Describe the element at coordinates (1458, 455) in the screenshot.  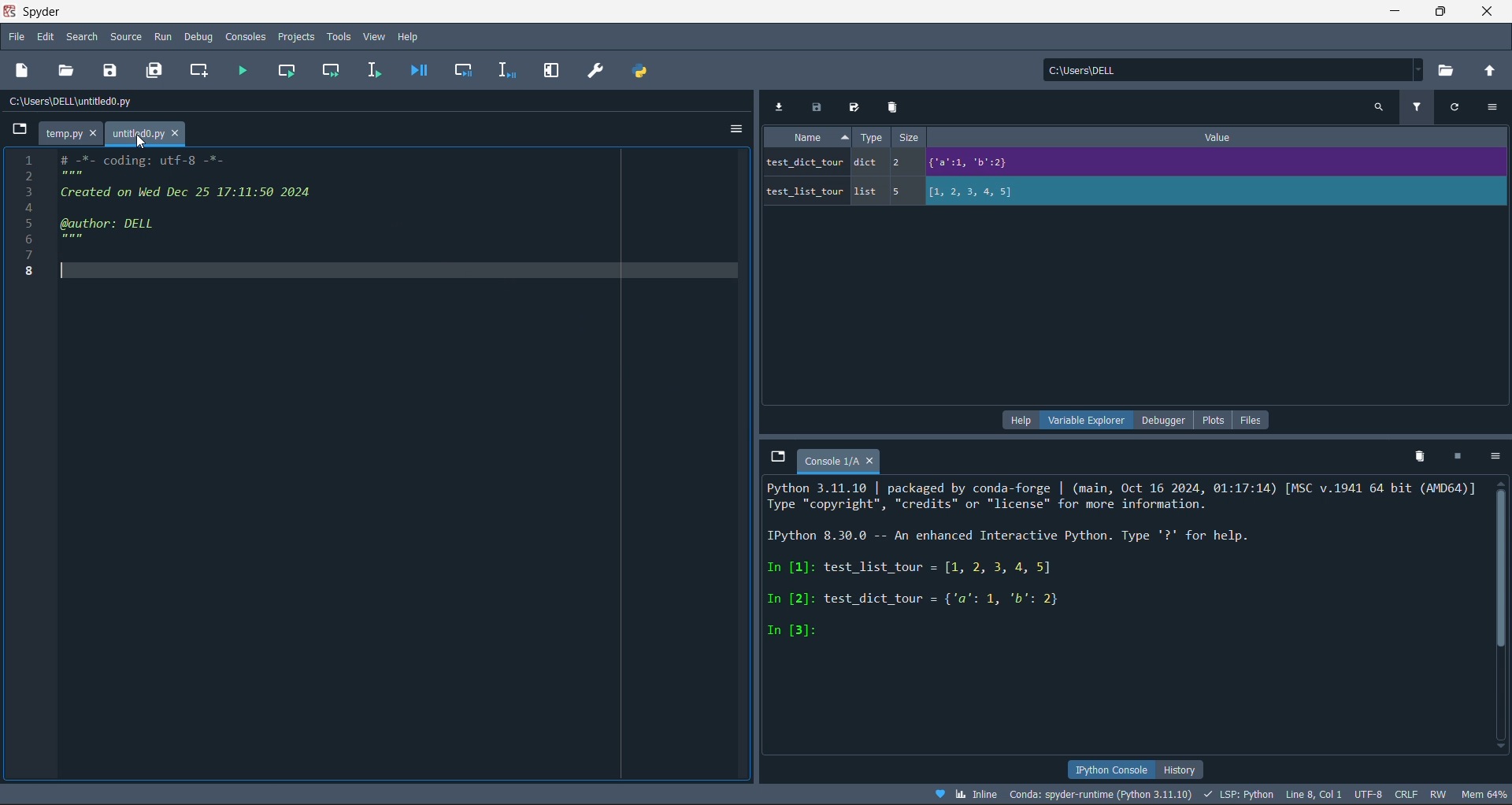
I see `close kernel` at that location.